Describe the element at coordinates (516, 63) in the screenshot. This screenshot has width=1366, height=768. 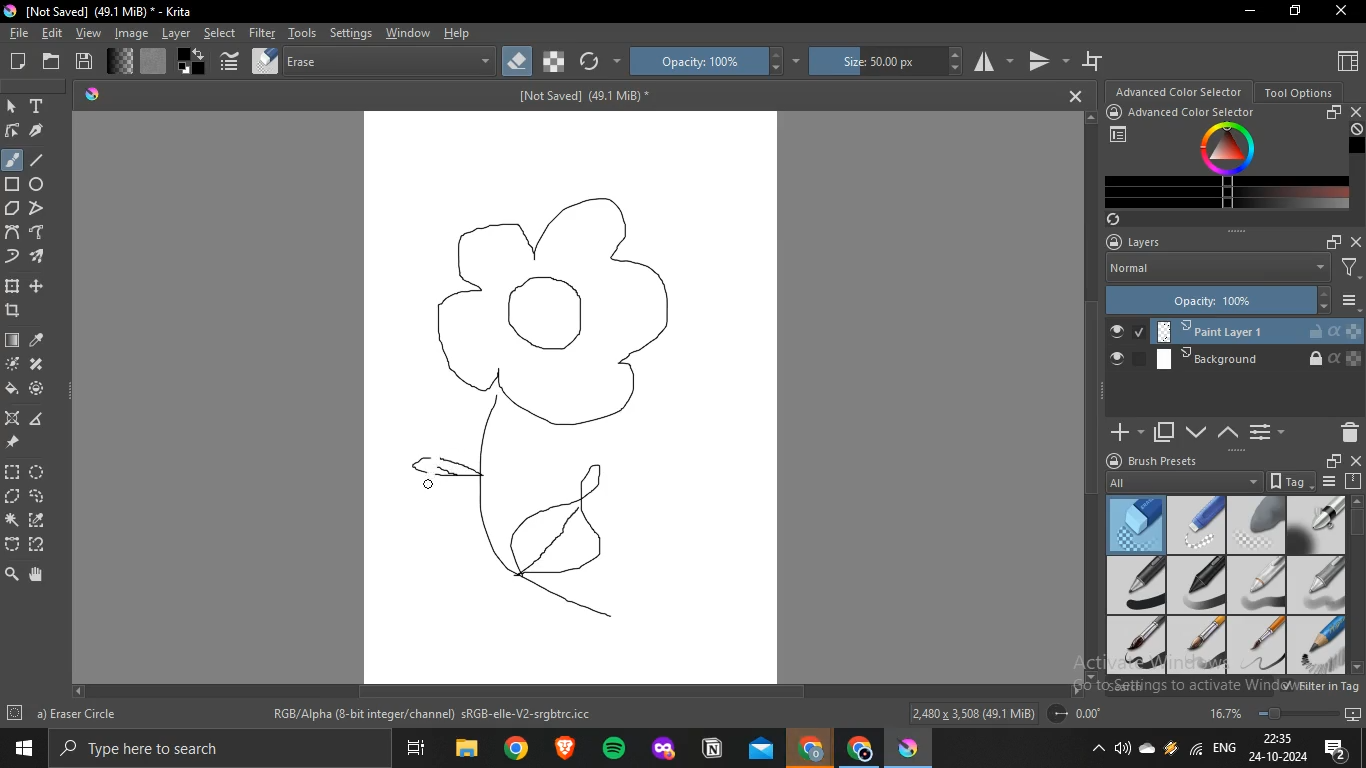
I see `set eraser mode` at that location.